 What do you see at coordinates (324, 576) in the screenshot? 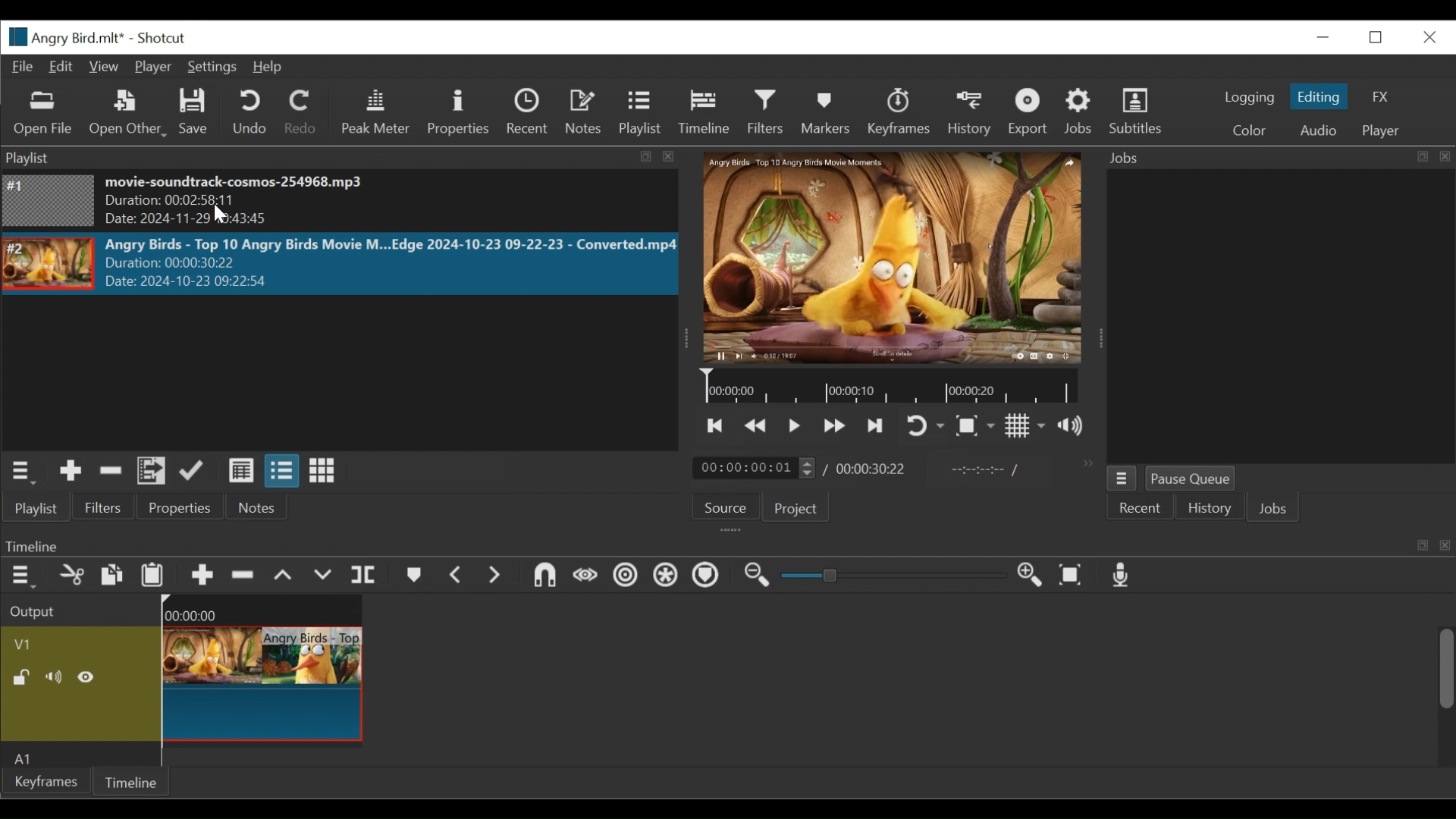
I see `Overwrite` at bounding box center [324, 576].